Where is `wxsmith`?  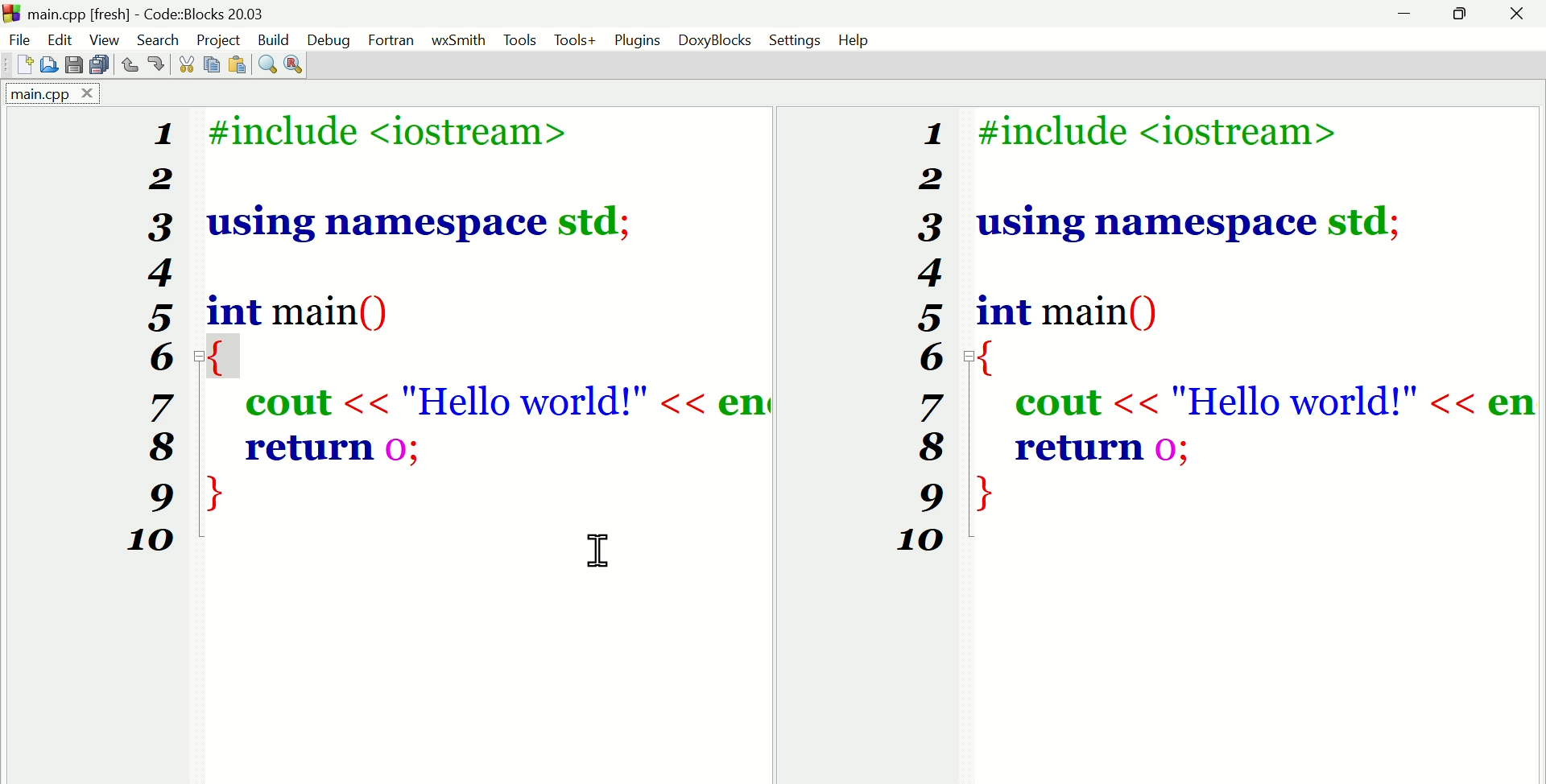 wxsmith is located at coordinates (457, 40).